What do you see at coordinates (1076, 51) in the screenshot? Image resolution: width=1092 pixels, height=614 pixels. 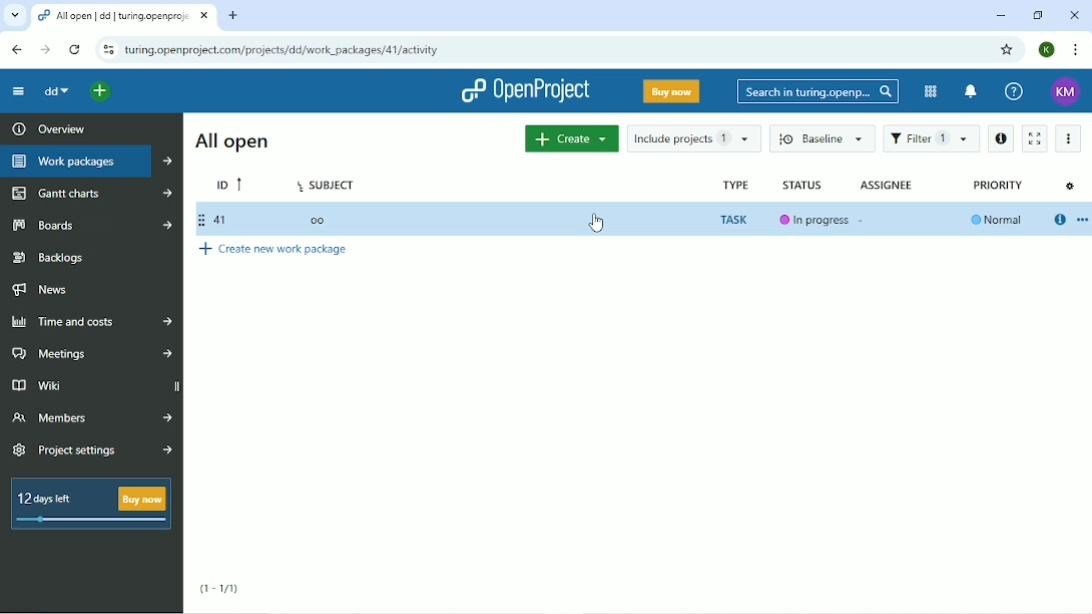 I see `Customize and control google chrome` at bounding box center [1076, 51].